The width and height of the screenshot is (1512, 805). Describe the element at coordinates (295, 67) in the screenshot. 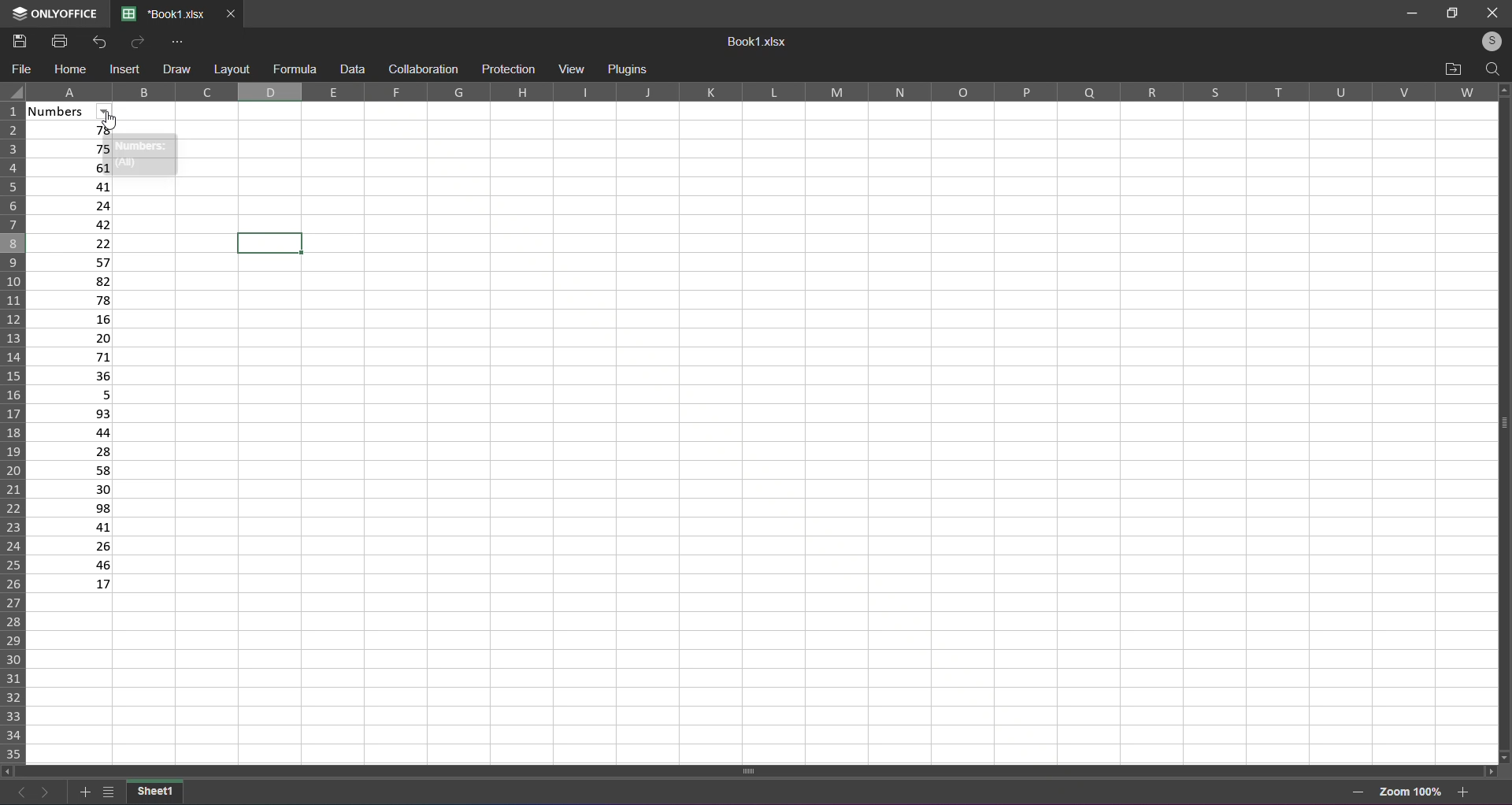

I see `formula` at that location.